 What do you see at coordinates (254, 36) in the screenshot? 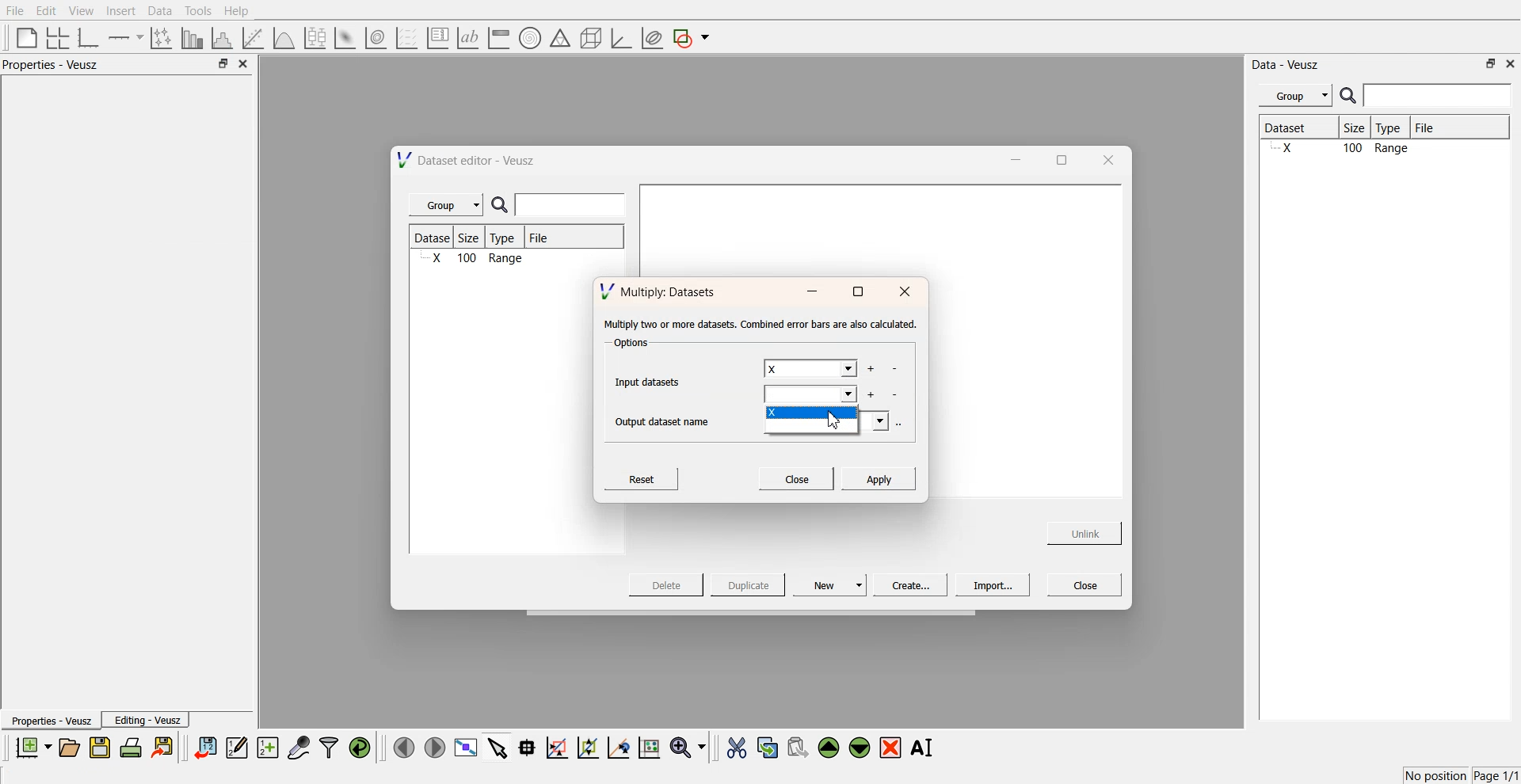
I see `fit a function` at bounding box center [254, 36].